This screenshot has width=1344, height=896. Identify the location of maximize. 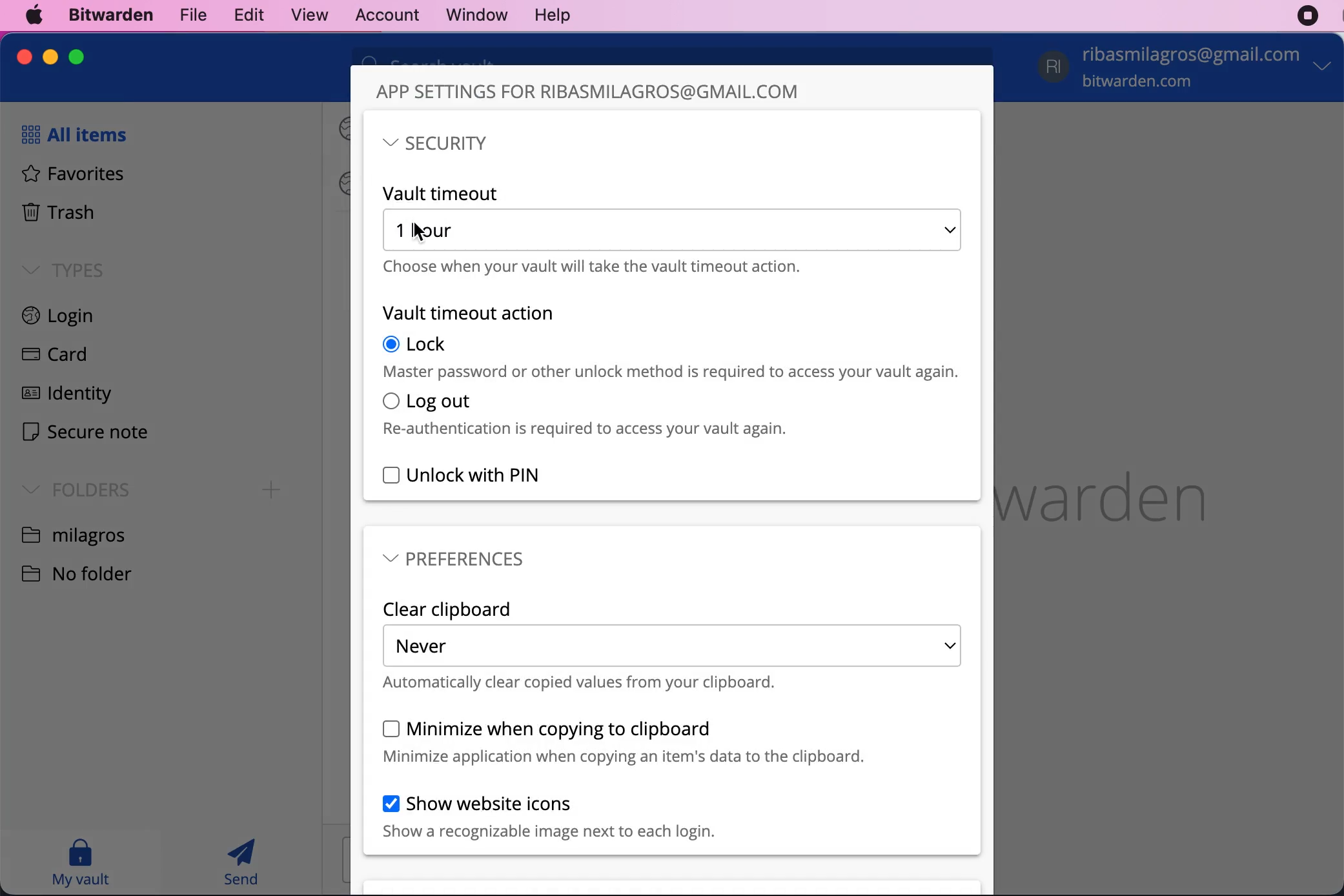
(76, 56).